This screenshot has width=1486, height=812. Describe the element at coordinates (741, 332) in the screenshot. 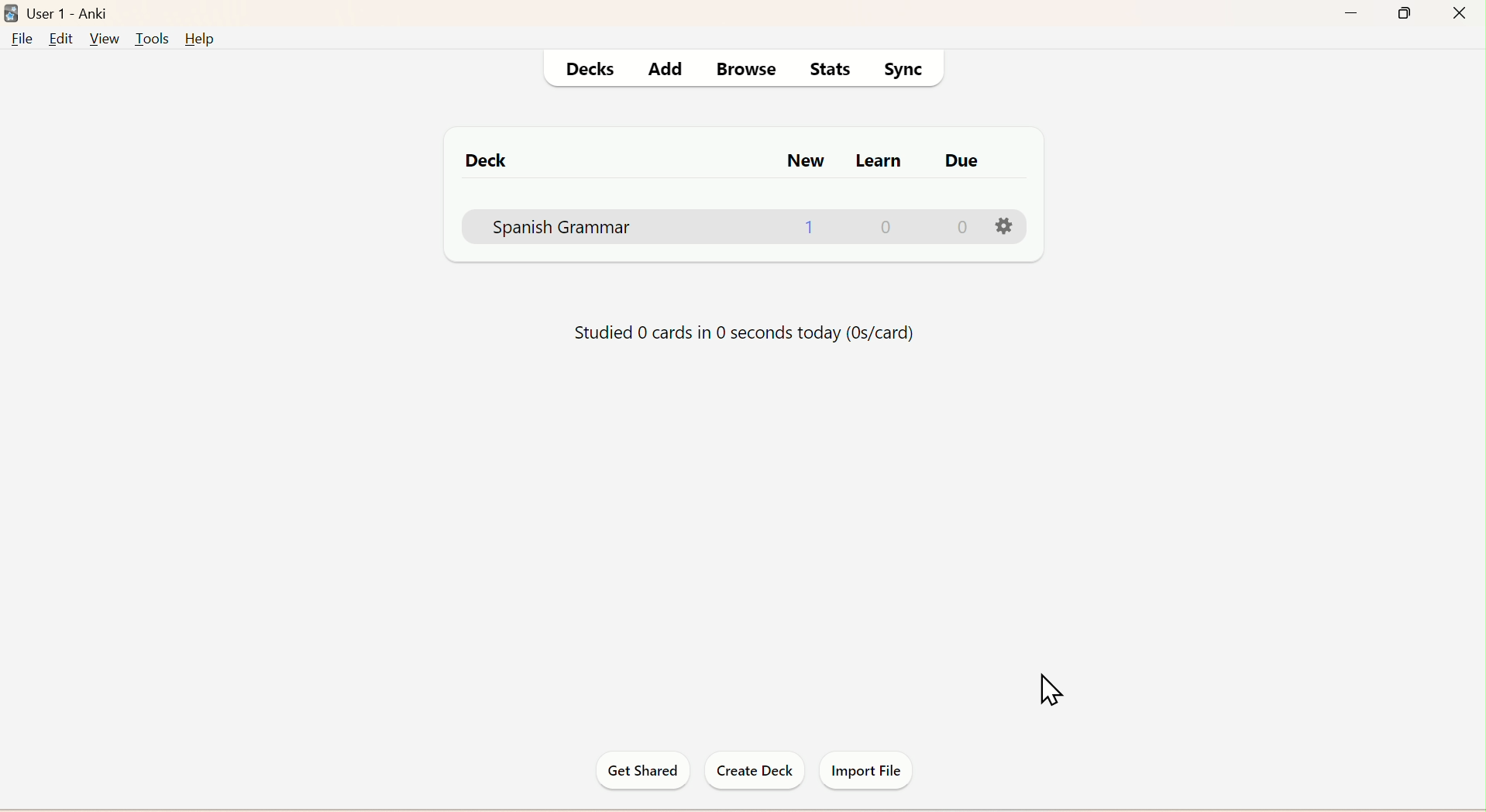

I see `Status of Progress` at that location.